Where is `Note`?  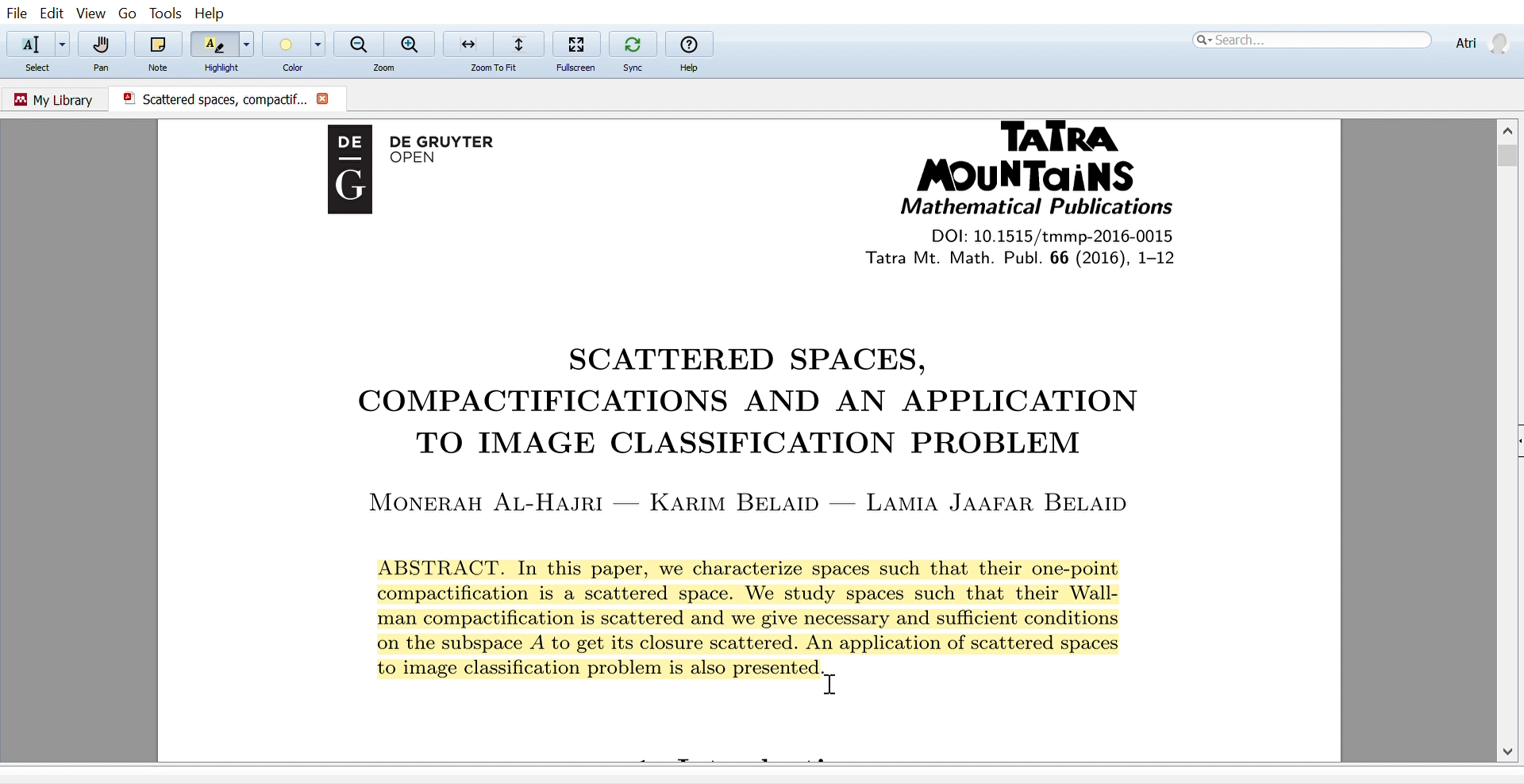 Note is located at coordinates (161, 66).